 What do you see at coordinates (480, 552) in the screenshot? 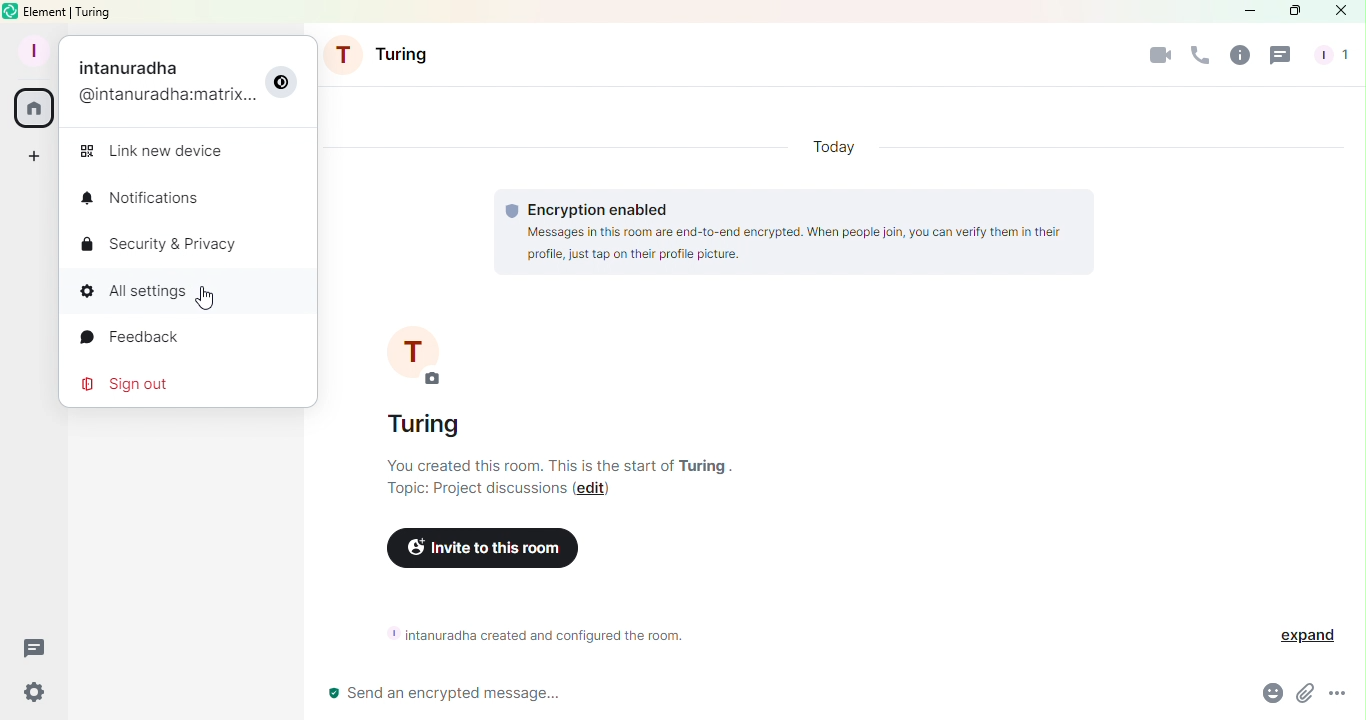
I see `Invite to this room` at bounding box center [480, 552].